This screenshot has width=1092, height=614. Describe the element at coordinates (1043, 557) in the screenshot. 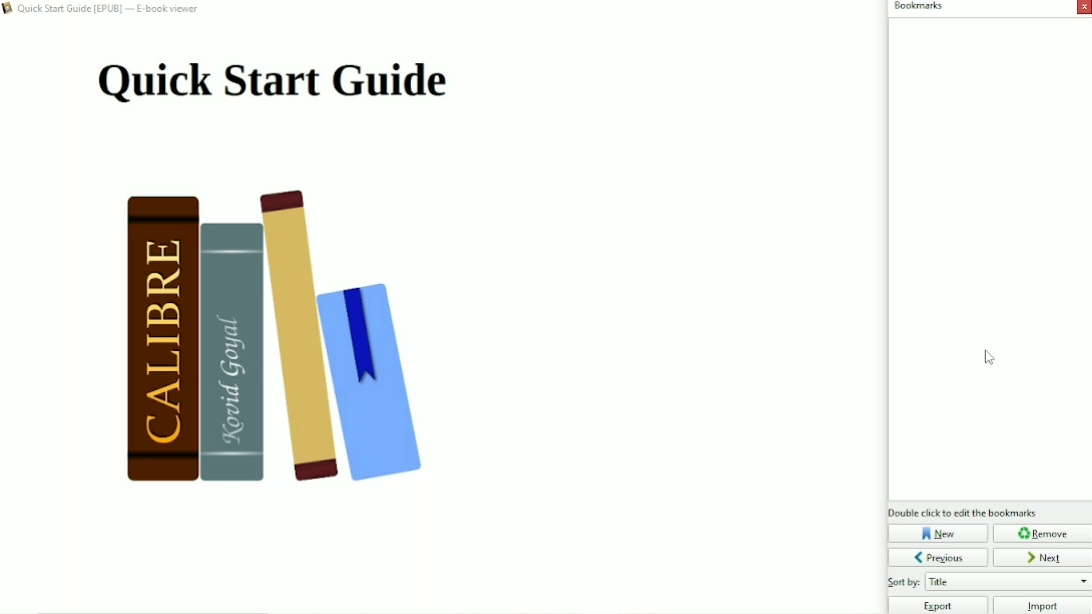

I see `Next` at that location.